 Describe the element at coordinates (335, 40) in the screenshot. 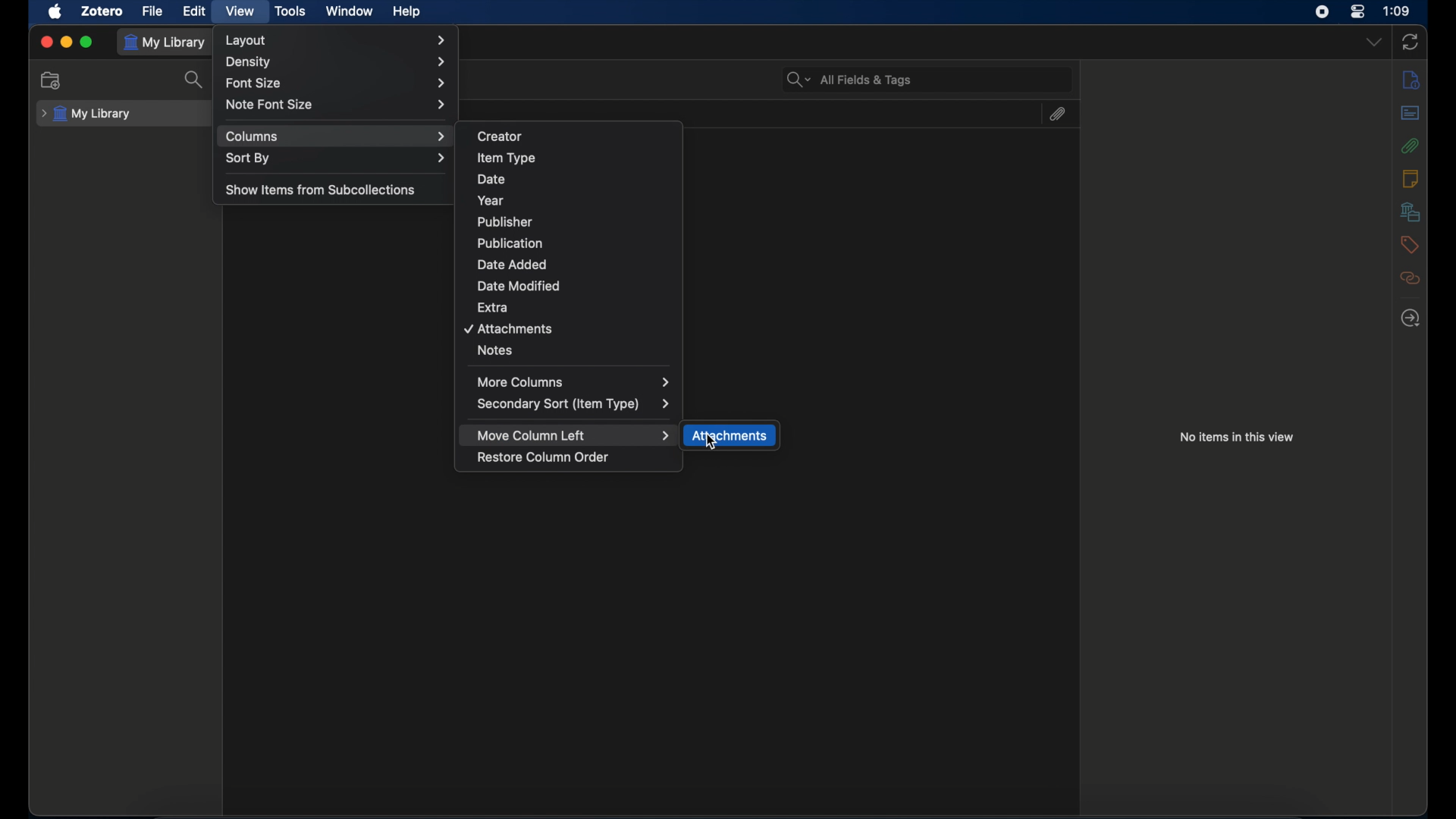

I see `layout` at that location.